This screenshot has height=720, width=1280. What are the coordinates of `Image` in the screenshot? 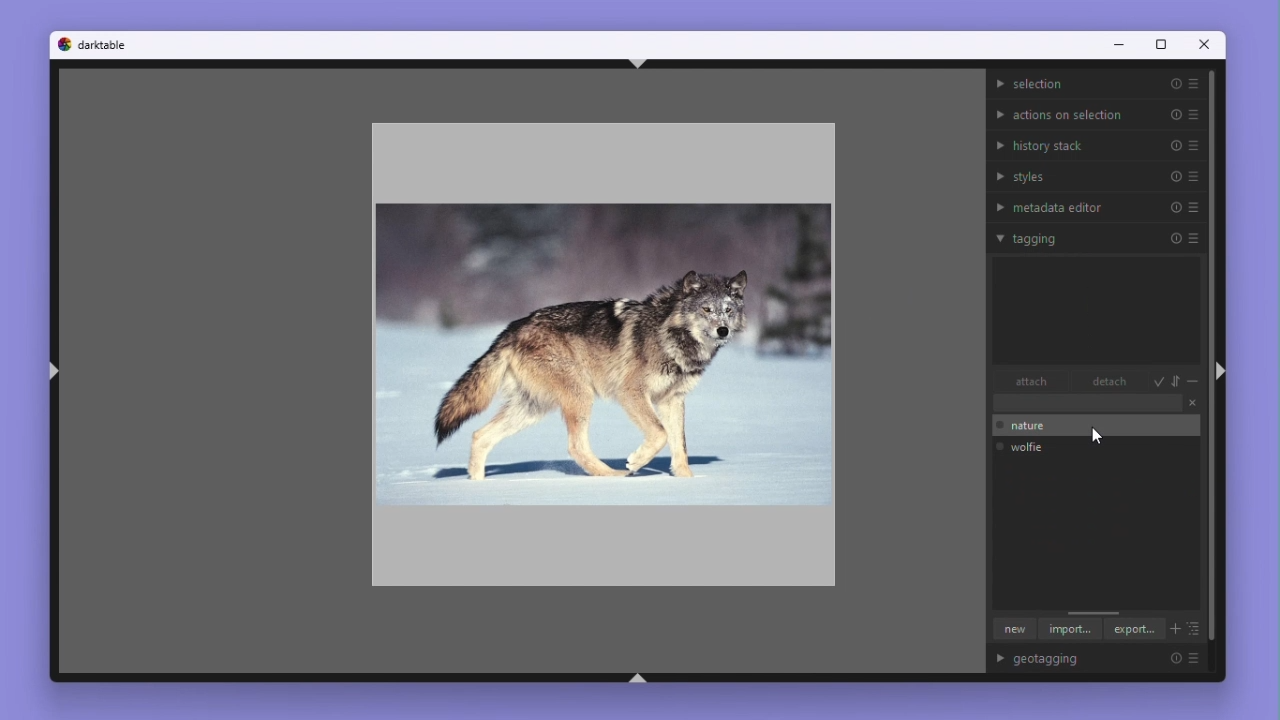 It's located at (599, 348).